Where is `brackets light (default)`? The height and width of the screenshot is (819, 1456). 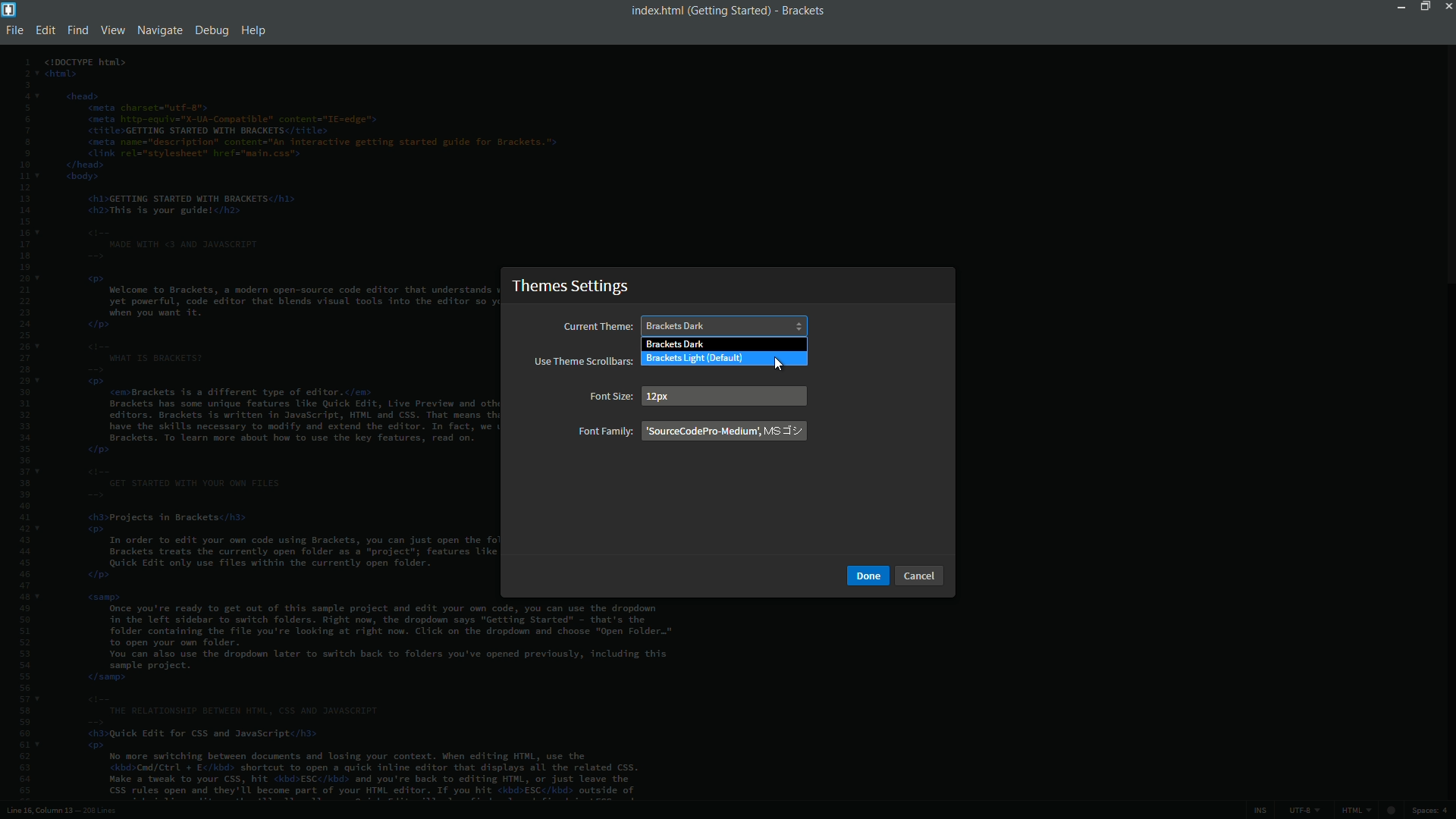
brackets light (default) is located at coordinates (692, 359).